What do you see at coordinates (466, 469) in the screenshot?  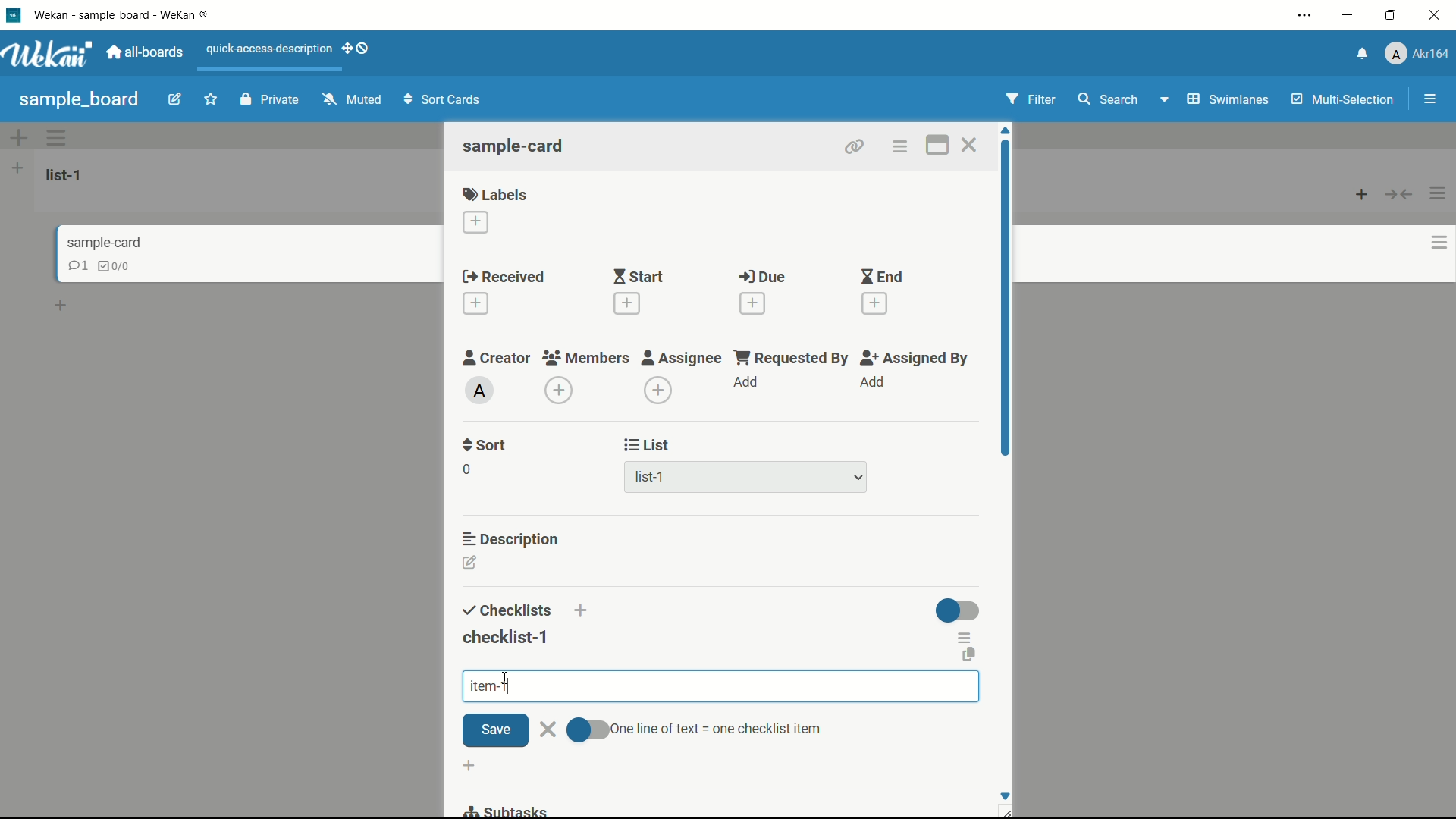 I see `0` at bounding box center [466, 469].